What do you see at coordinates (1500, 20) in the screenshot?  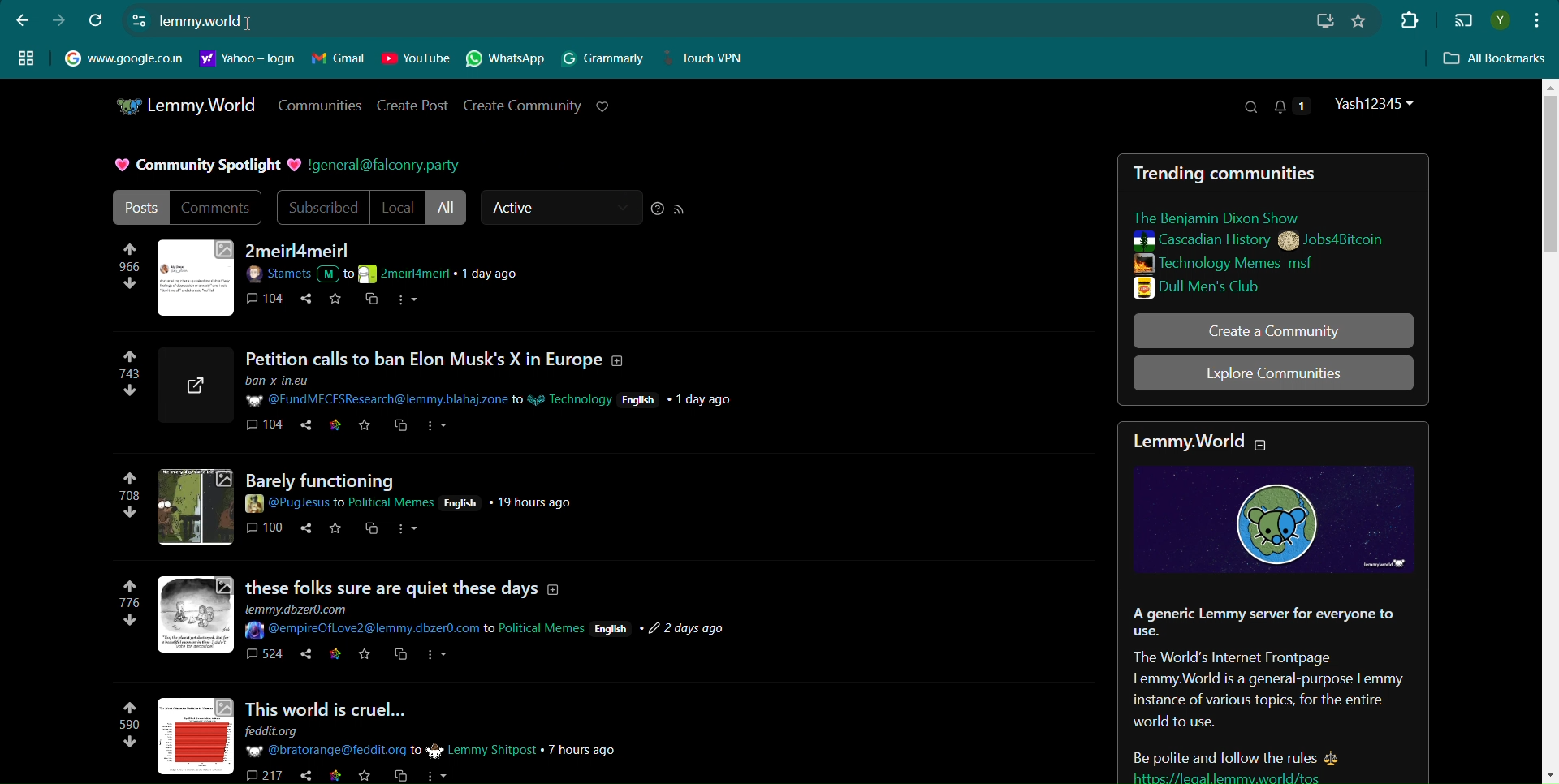 I see `Profile` at bounding box center [1500, 20].